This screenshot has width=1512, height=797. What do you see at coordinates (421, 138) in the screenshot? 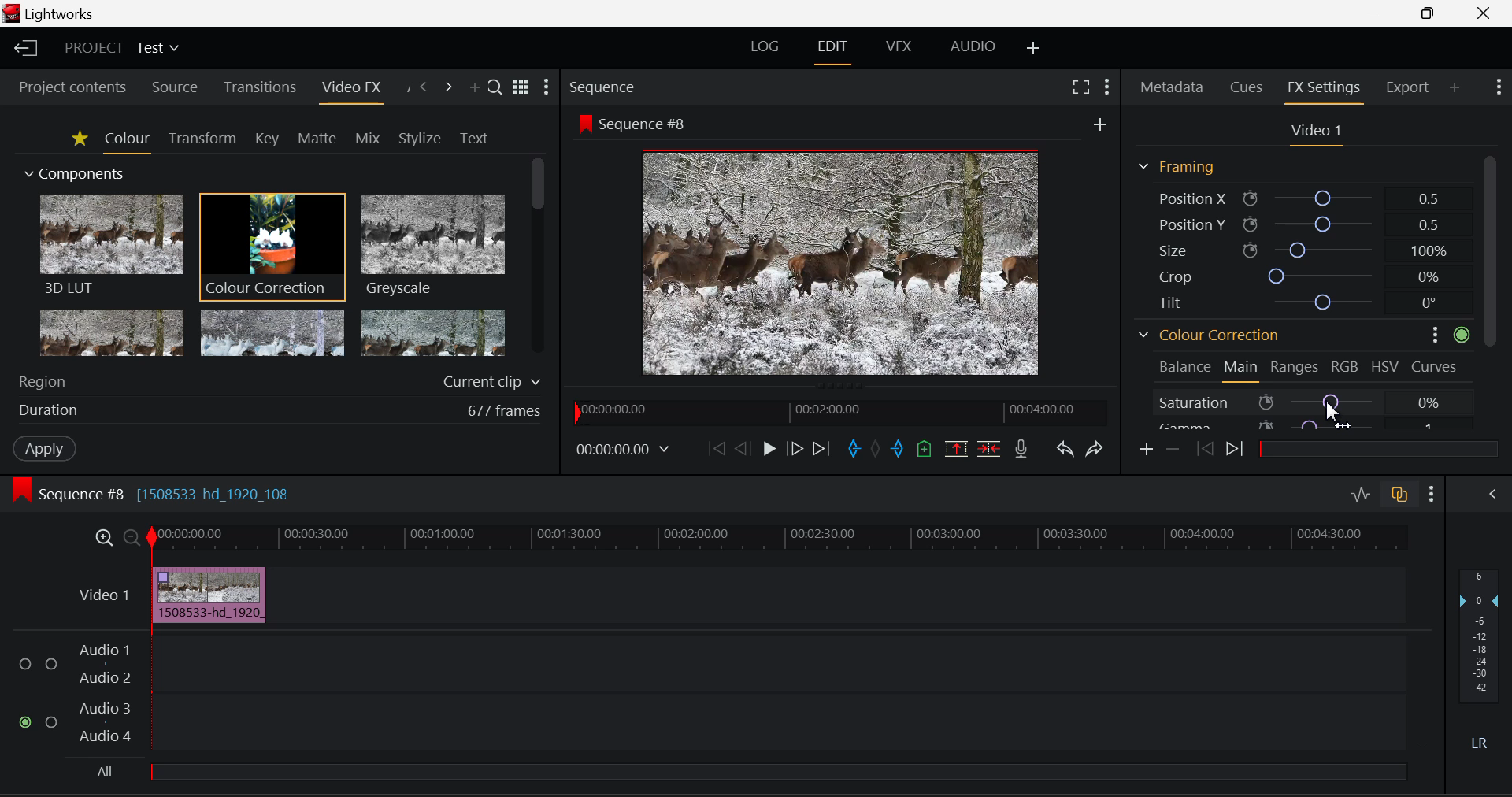
I see `Stylize` at bounding box center [421, 138].